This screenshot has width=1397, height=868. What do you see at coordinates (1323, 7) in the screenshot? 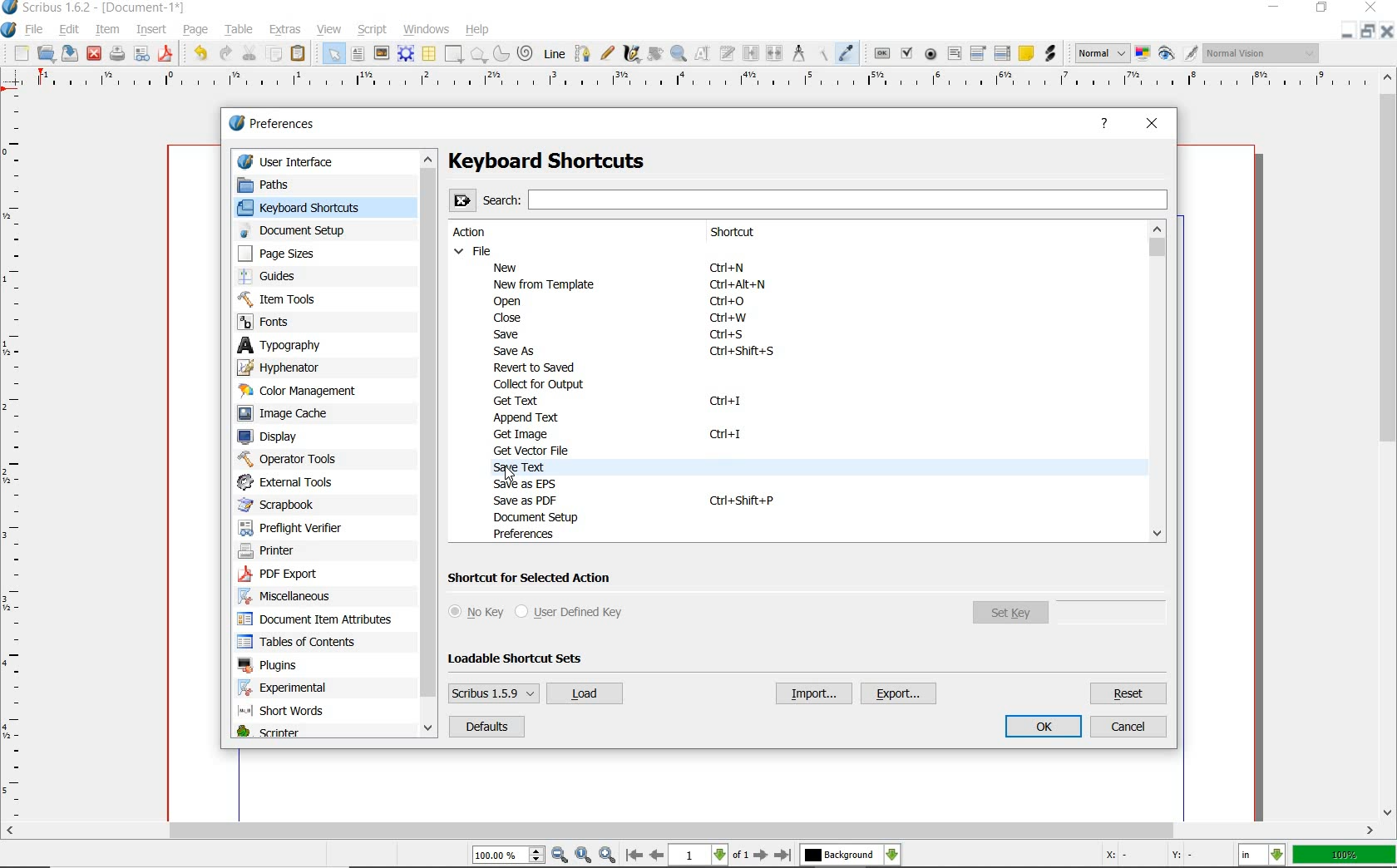
I see `restore` at bounding box center [1323, 7].